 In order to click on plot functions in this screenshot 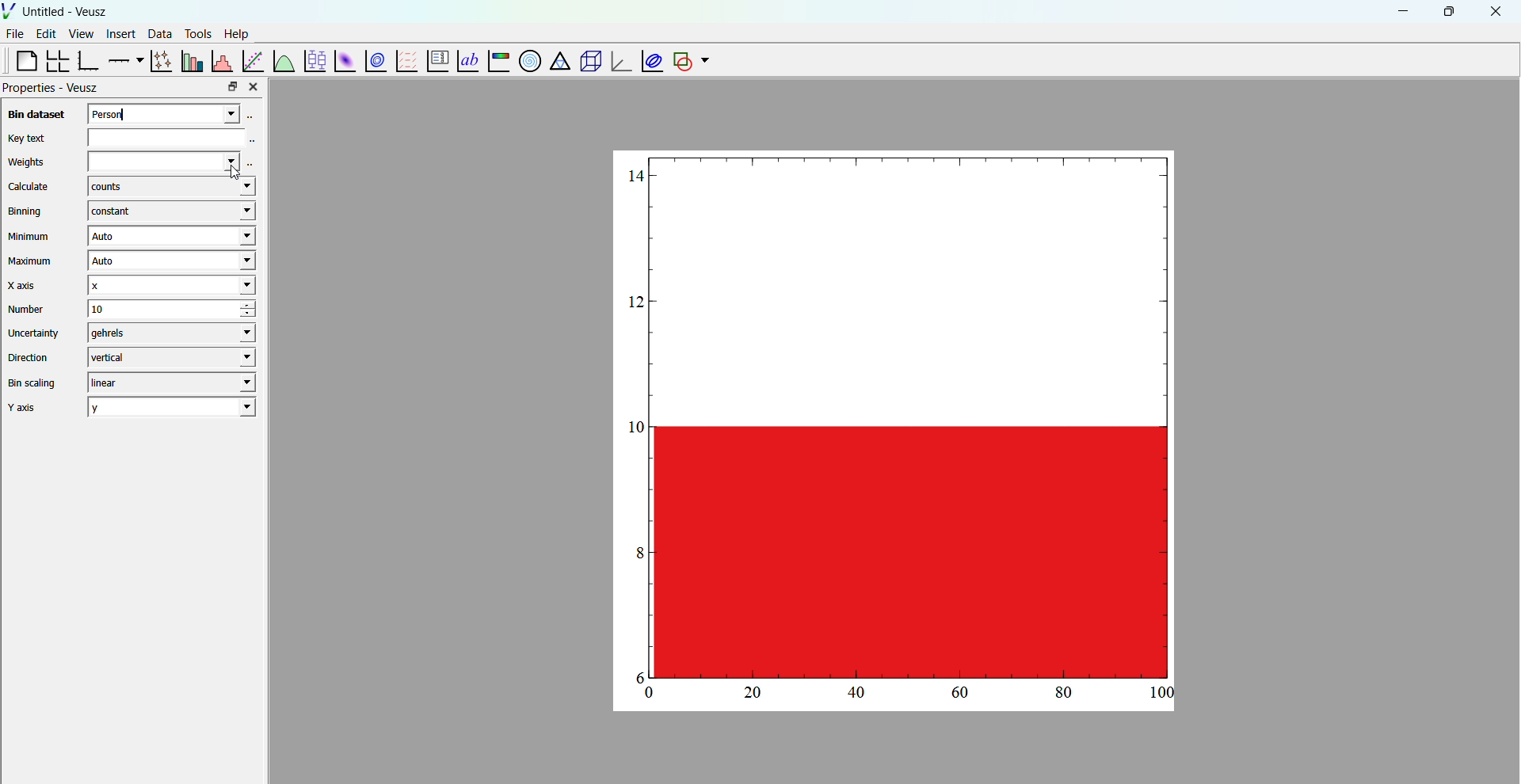, I will do `click(283, 60)`.